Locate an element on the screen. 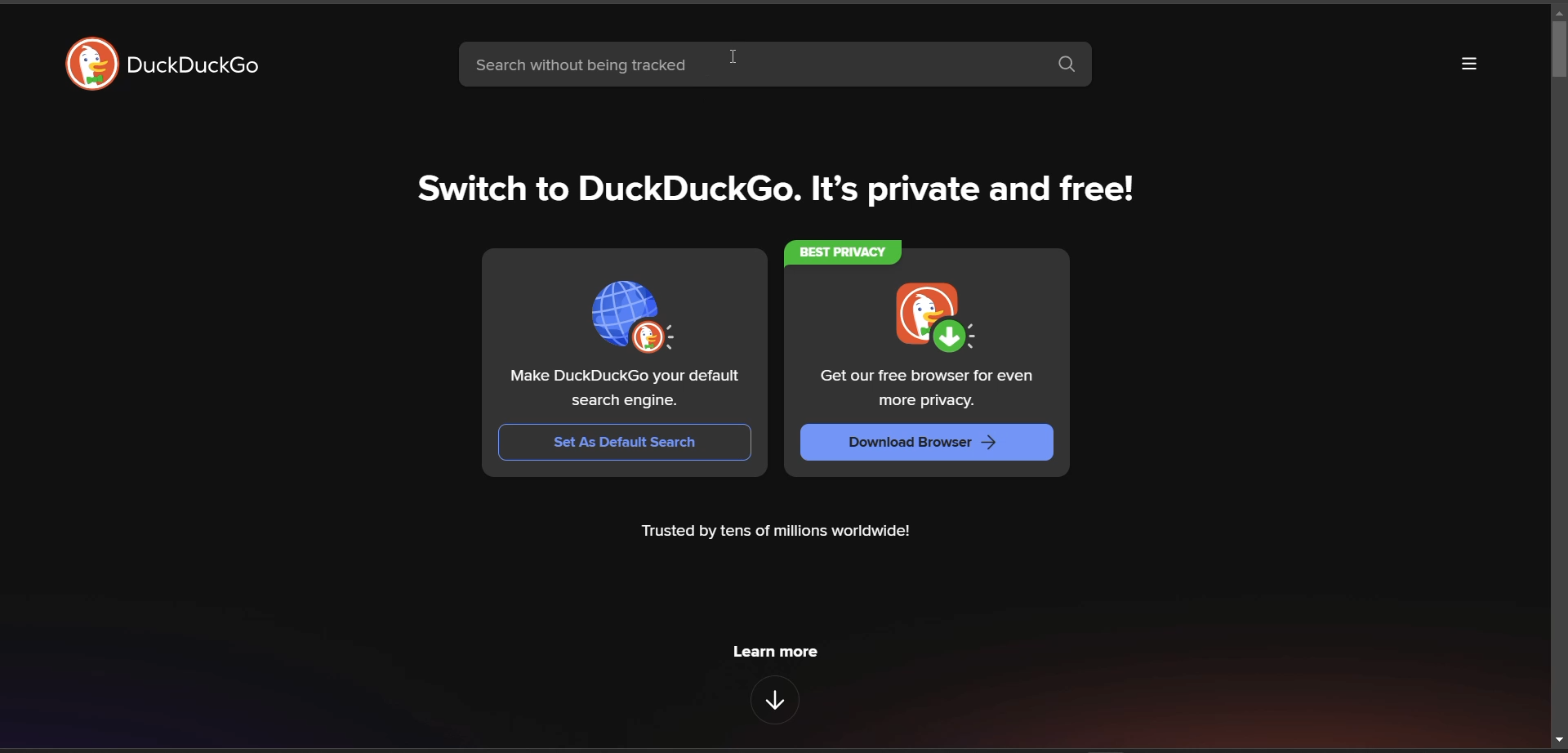 This screenshot has height=753, width=1568. Make DuckDuckGo your default
search engine. is located at coordinates (626, 390).